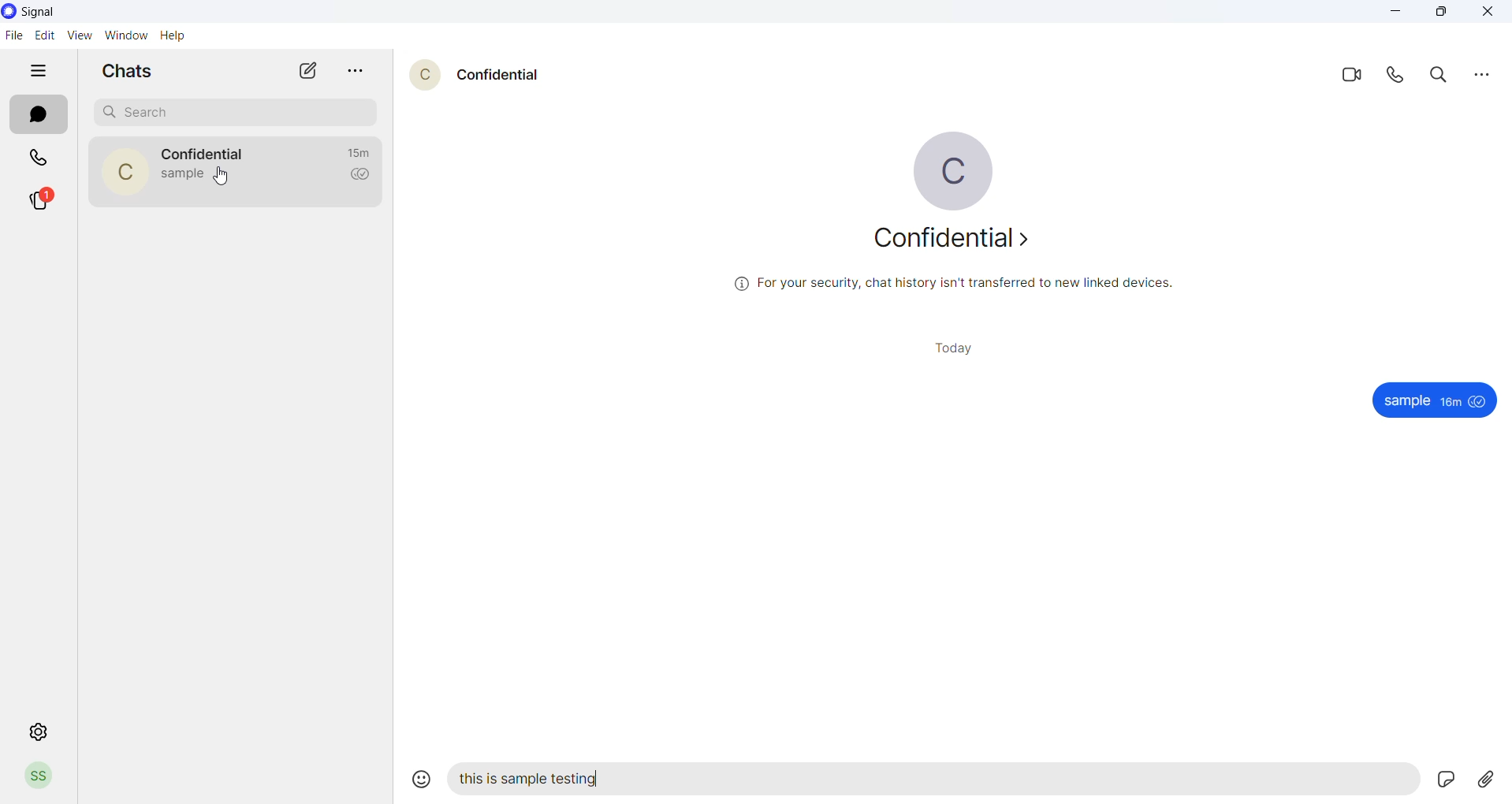  Describe the element at coordinates (40, 72) in the screenshot. I see `hide tabs` at that location.